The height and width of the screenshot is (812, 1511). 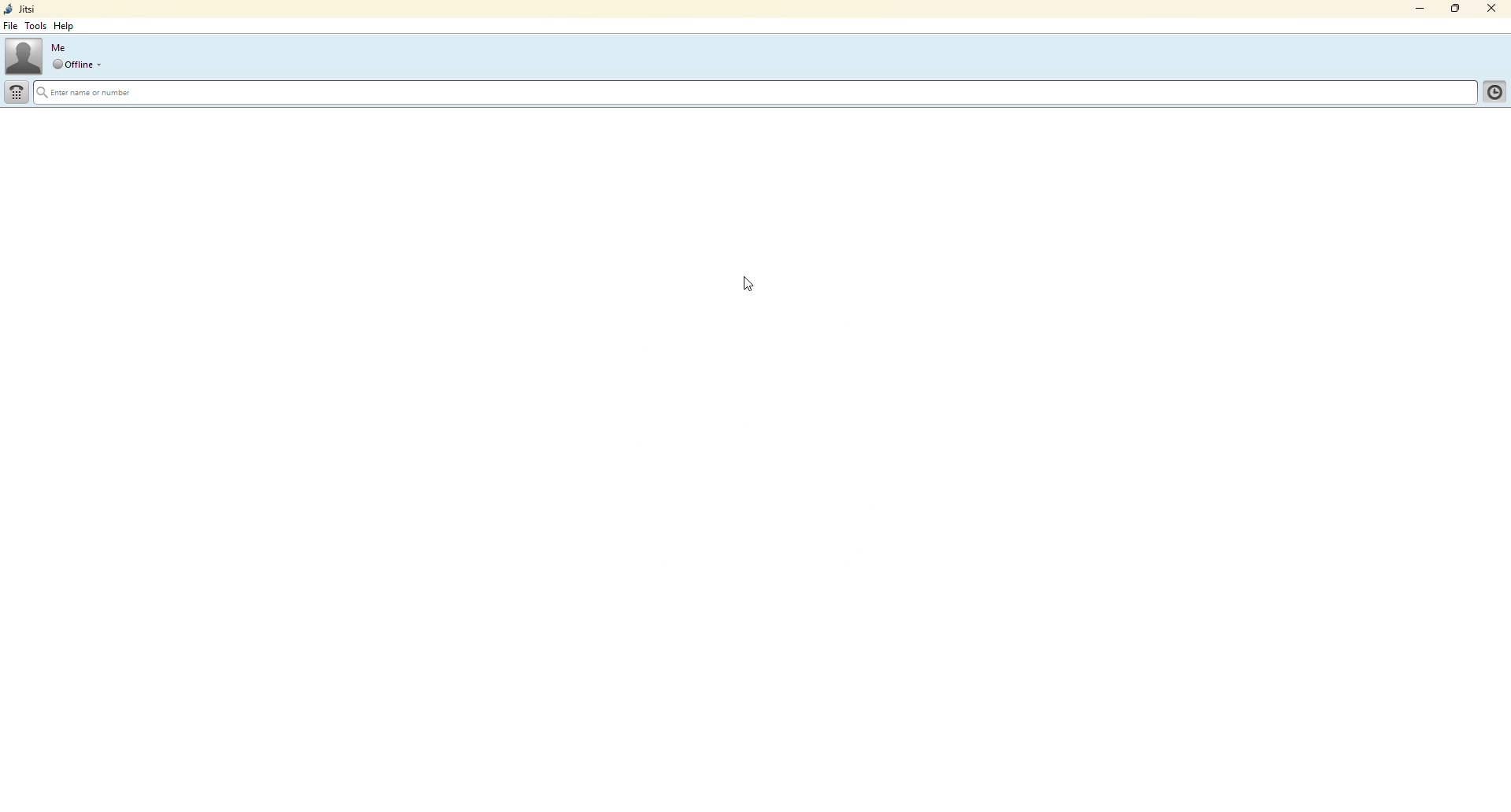 I want to click on enter name or number, so click(x=90, y=94).